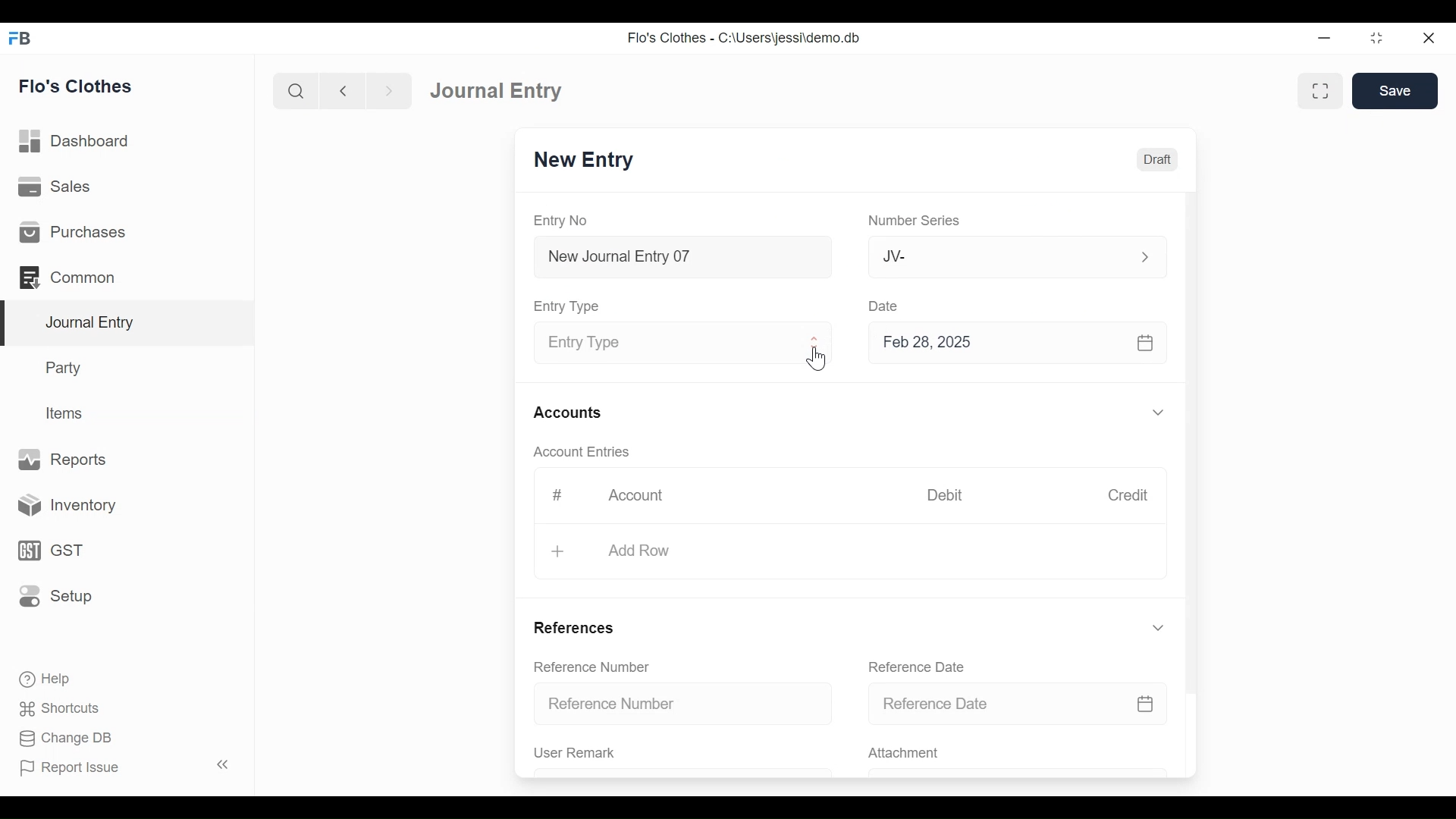 The image size is (1456, 819). What do you see at coordinates (560, 220) in the screenshot?
I see `Entry No` at bounding box center [560, 220].